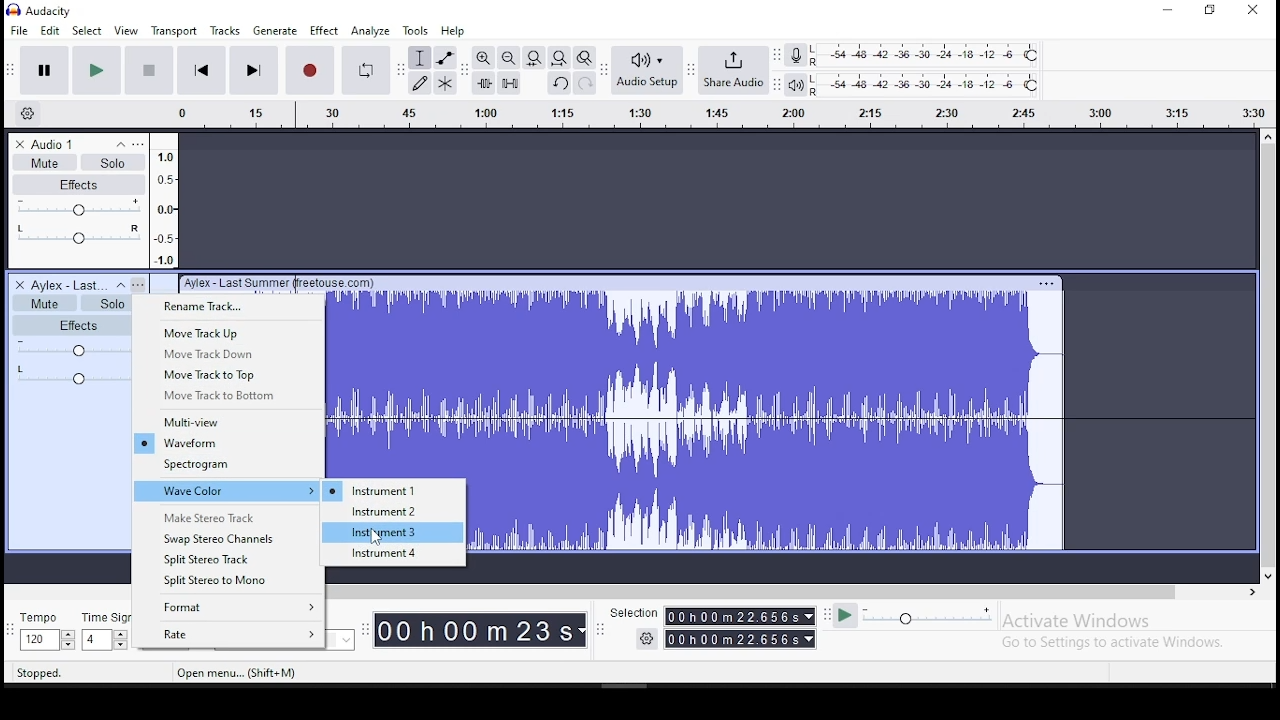  I want to click on scroll bar, so click(1268, 356).